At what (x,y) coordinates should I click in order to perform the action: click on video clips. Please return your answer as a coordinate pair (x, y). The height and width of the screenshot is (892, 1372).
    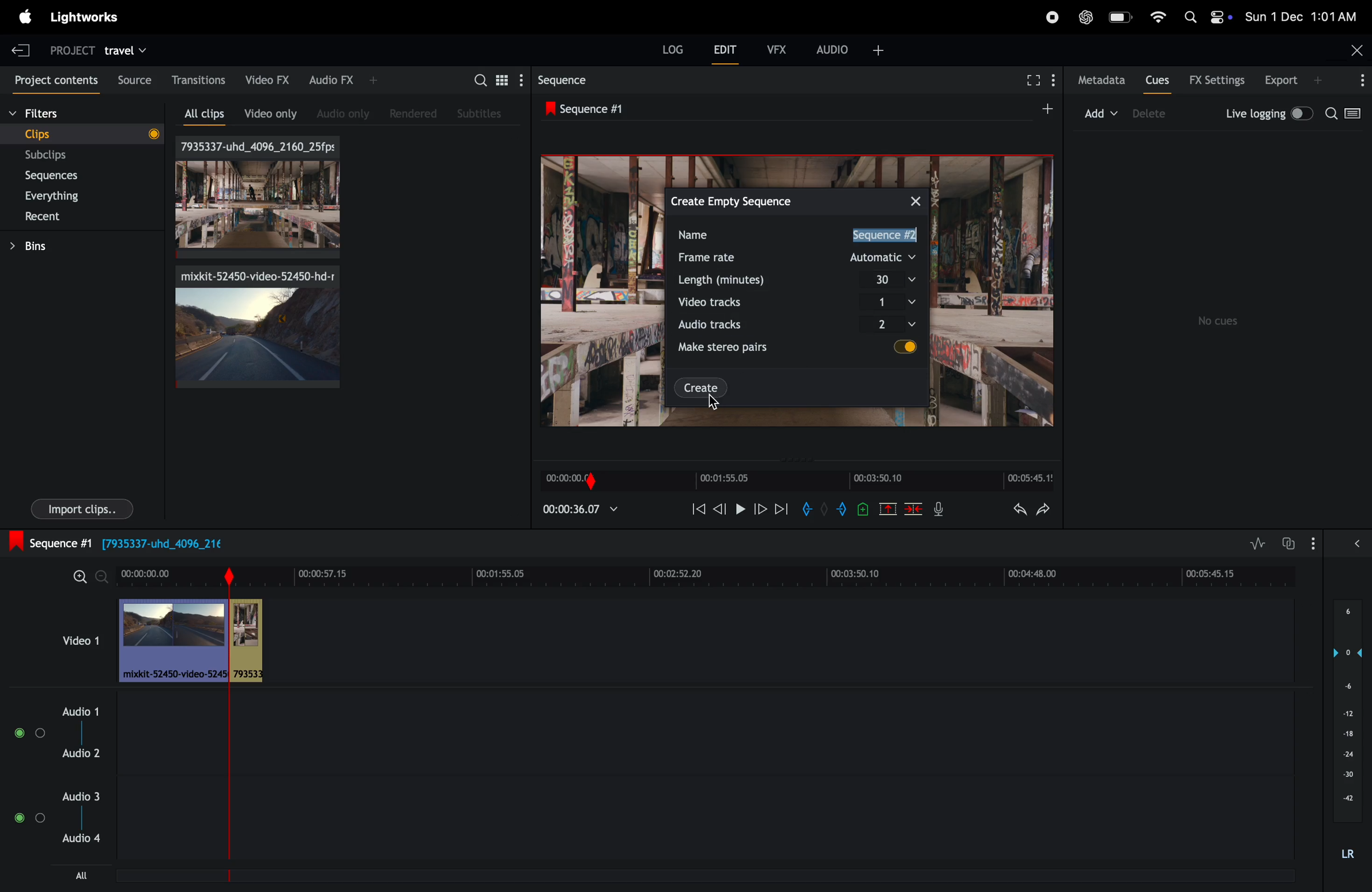
    Looking at the image, I should click on (258, 327).